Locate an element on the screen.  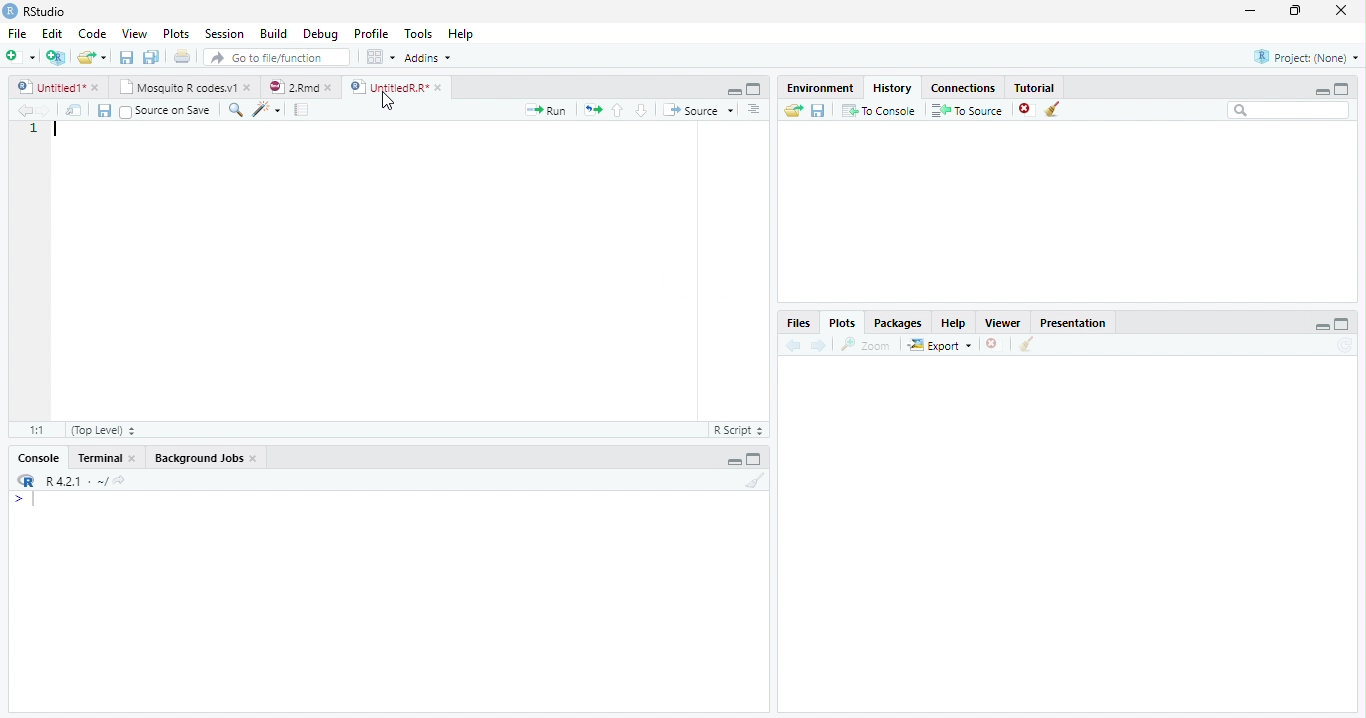
To Console is located at coordinates (878, 111).